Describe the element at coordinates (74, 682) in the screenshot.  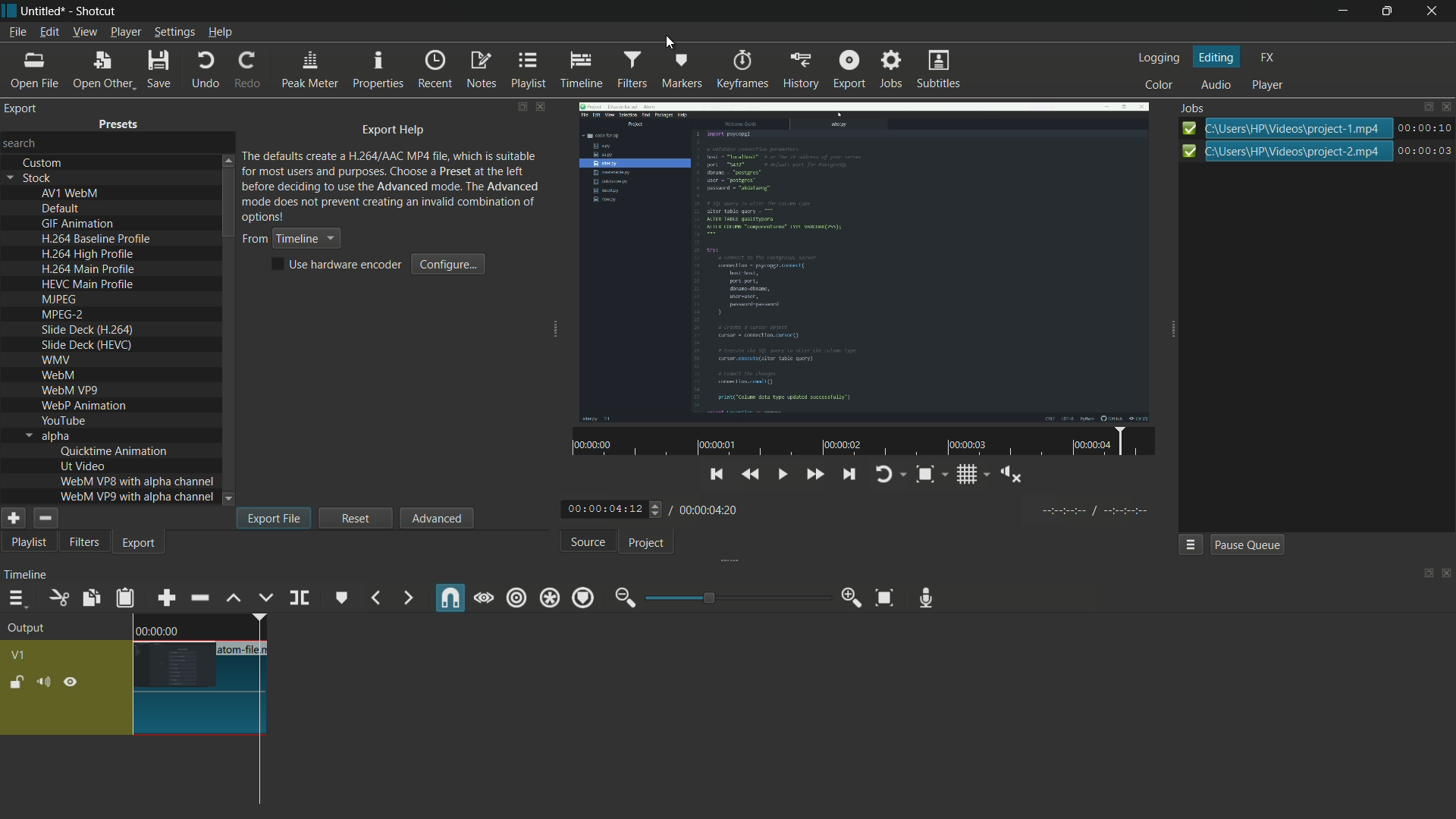
I see `hide` at that location.